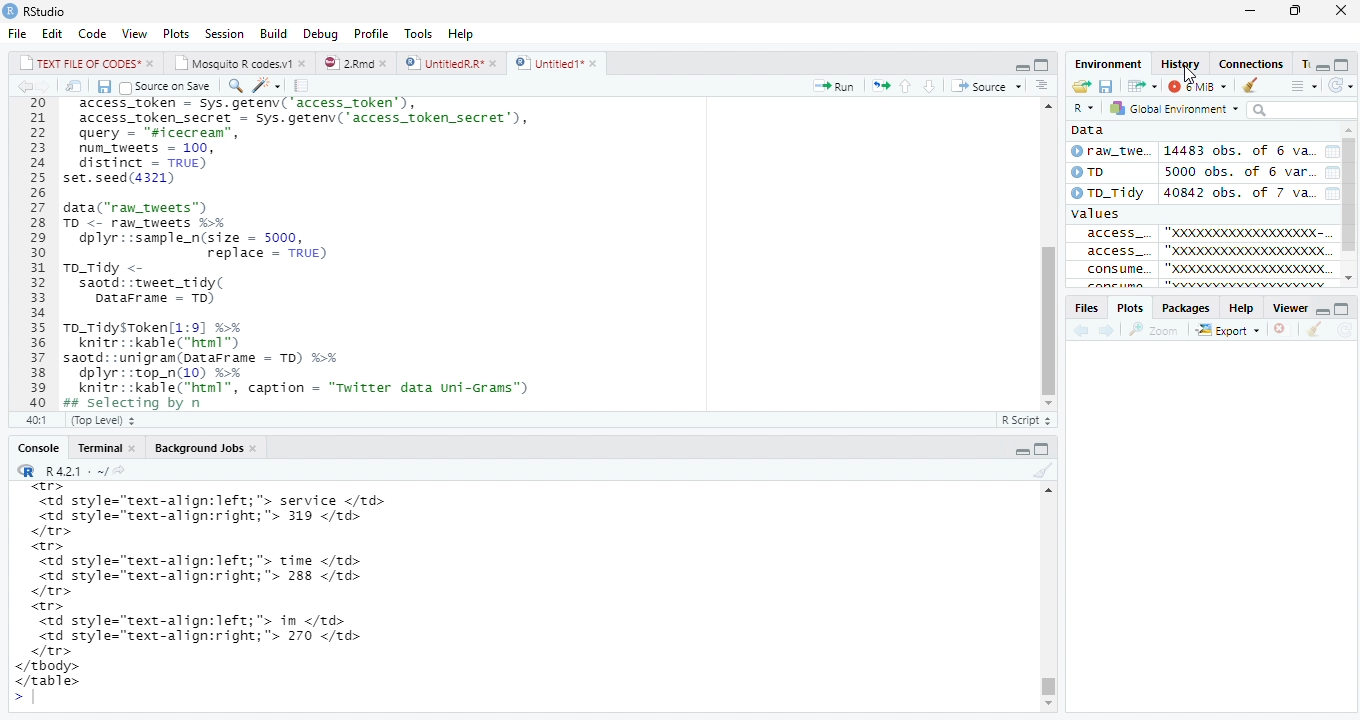  Describe the element at coordinates (1239, 309) in the screenshot. I see `Help` at that location.